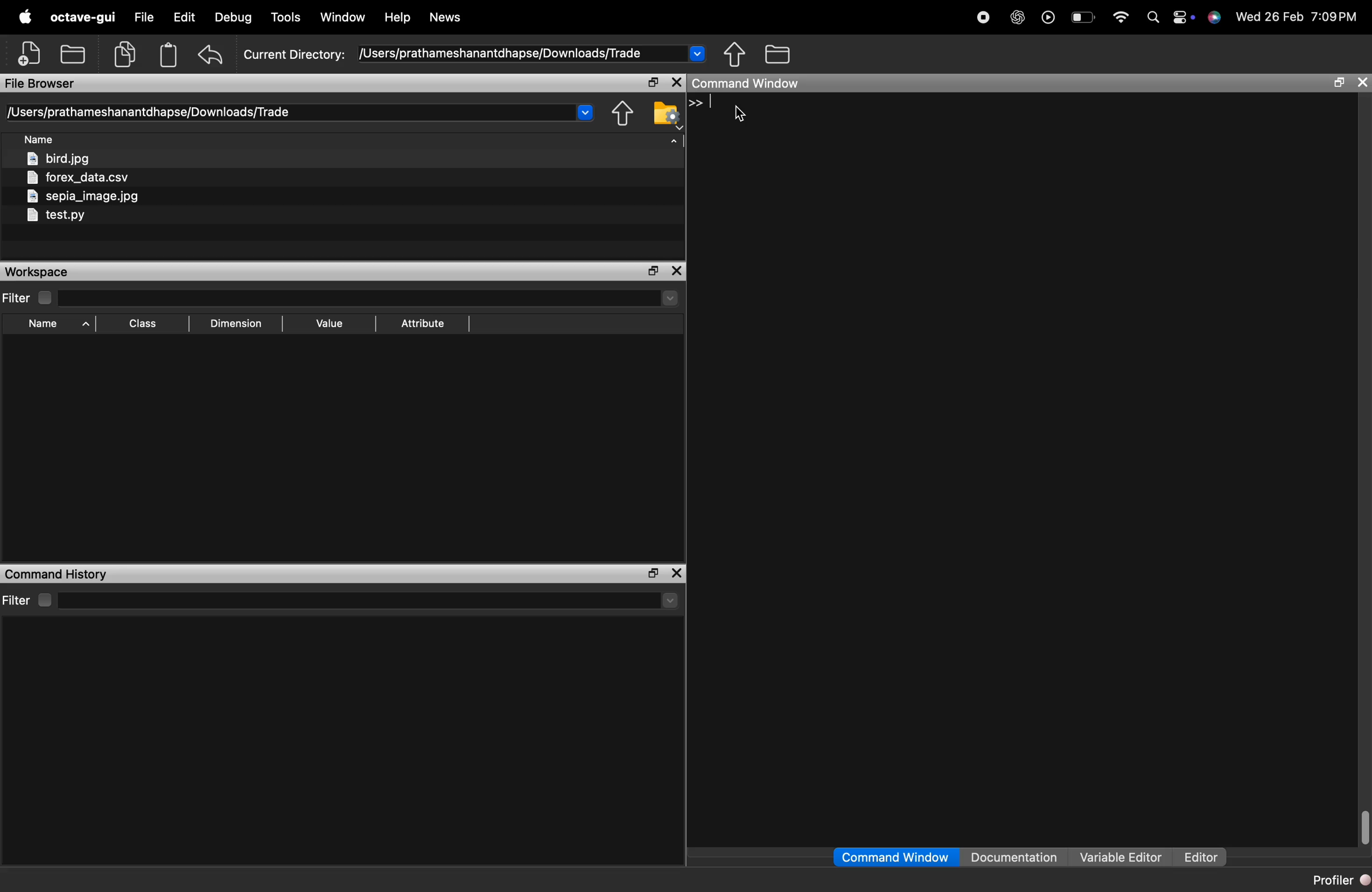 Image resolution: width=1372 pixels, height=892 pixels. I want to click on browse directories, so click(778, 54).